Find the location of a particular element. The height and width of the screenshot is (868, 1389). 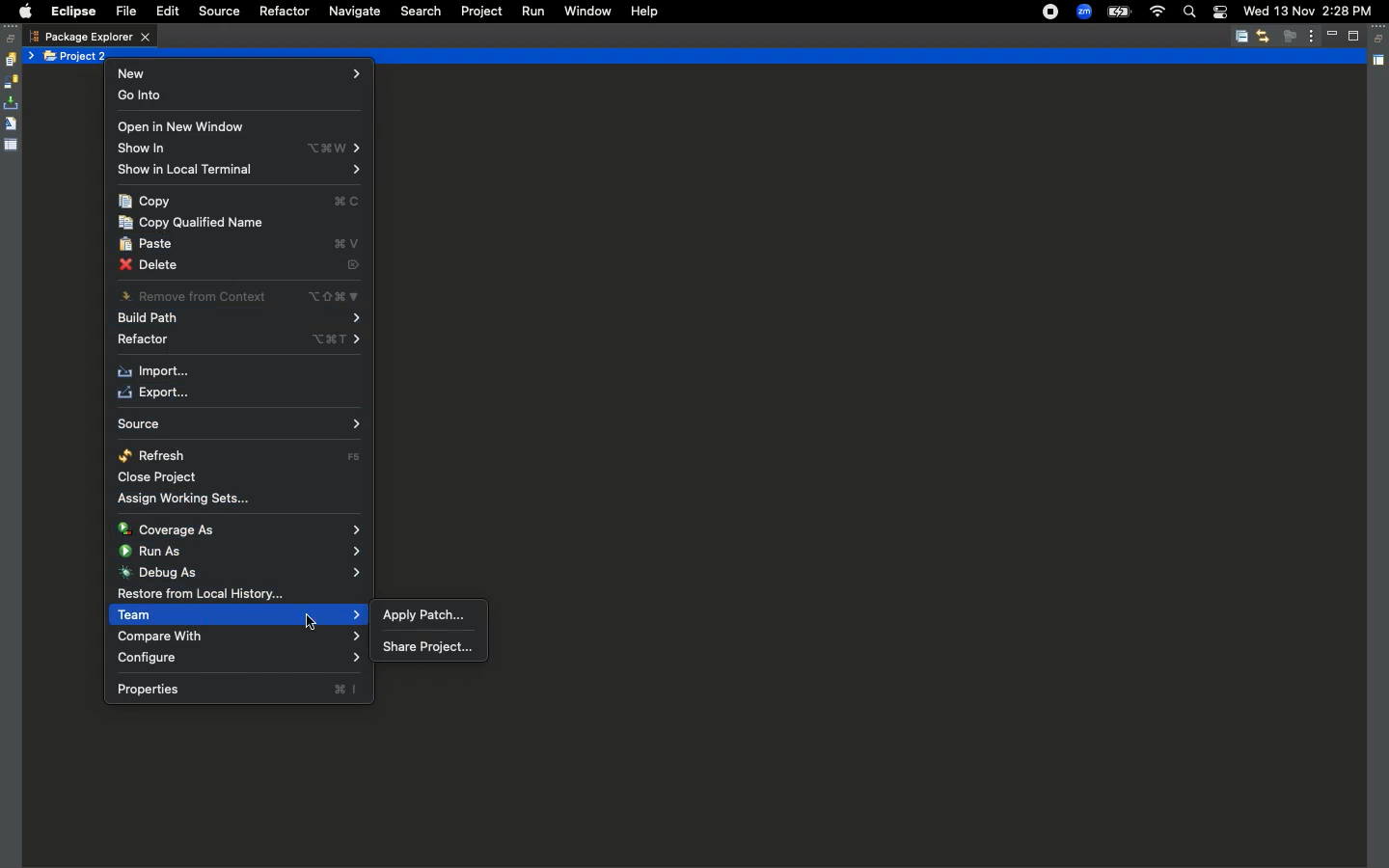

Source is located at coordinates (216, 12).